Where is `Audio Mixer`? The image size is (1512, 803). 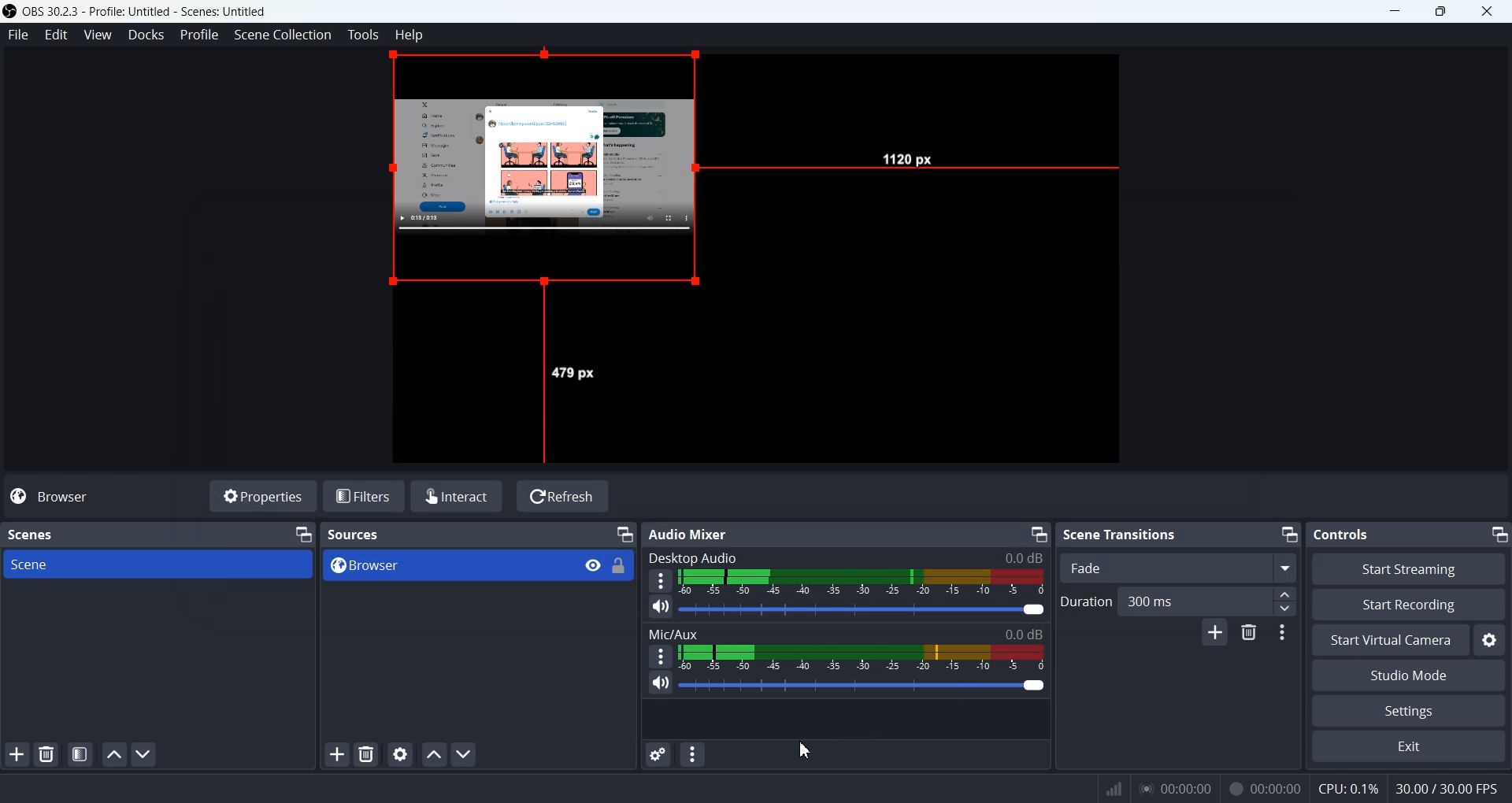
Audio Mixer is located at coordinates (695, 534).